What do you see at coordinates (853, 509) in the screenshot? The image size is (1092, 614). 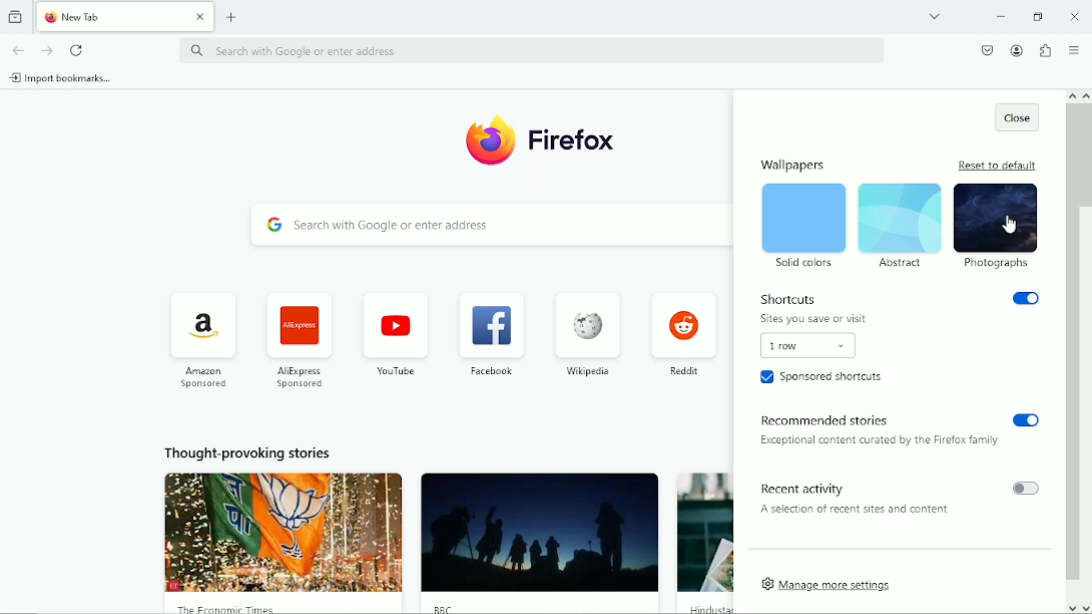 I see `A selection of recent sites or content` at bounding box center [853, 509].